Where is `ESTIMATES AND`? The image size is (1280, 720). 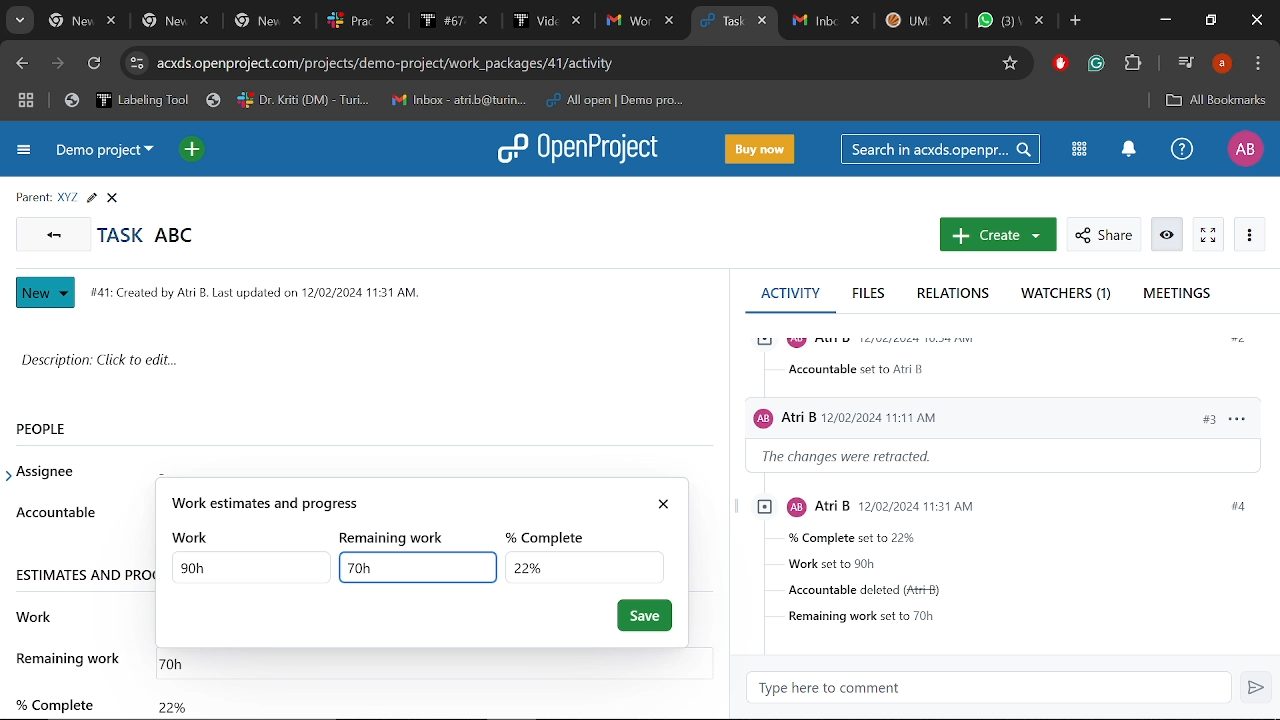
ESTIMATES AND is located at coordinates (83, 577).